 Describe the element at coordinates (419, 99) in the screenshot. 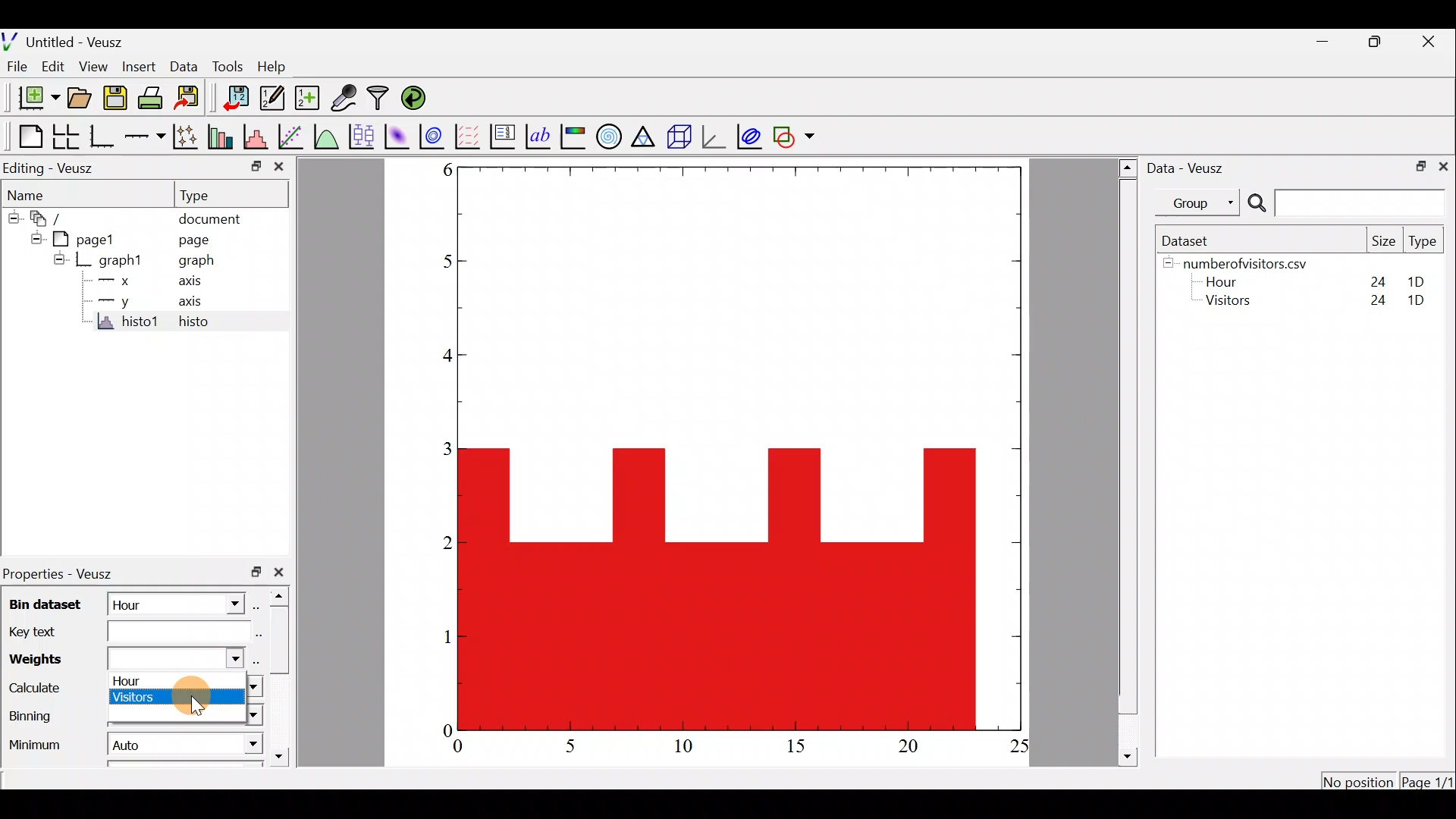

I see `reload linked datasets` at that location.